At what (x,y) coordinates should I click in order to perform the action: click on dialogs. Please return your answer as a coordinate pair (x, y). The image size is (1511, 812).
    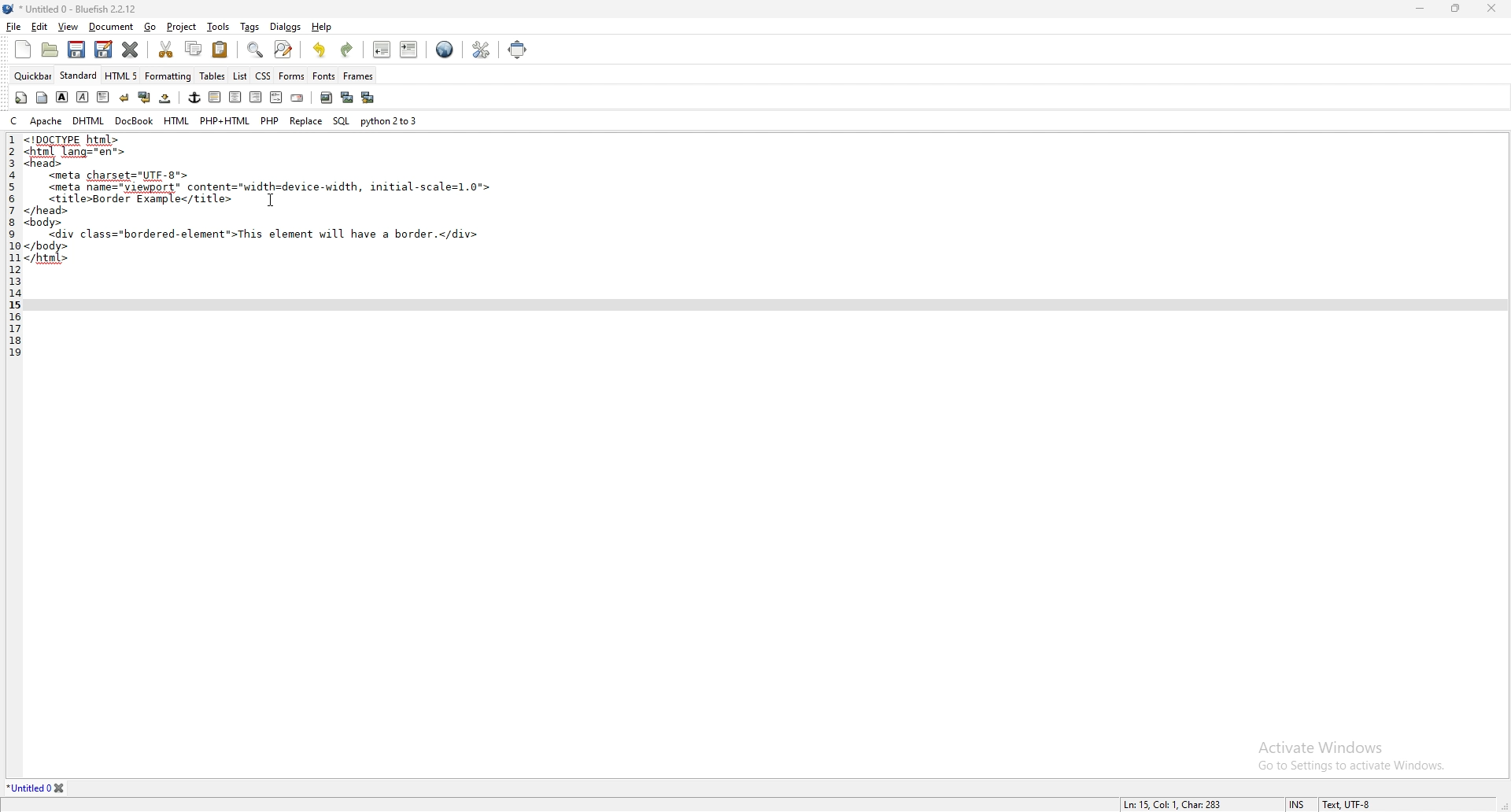
    Looking at the image, I should click on (285, 26).